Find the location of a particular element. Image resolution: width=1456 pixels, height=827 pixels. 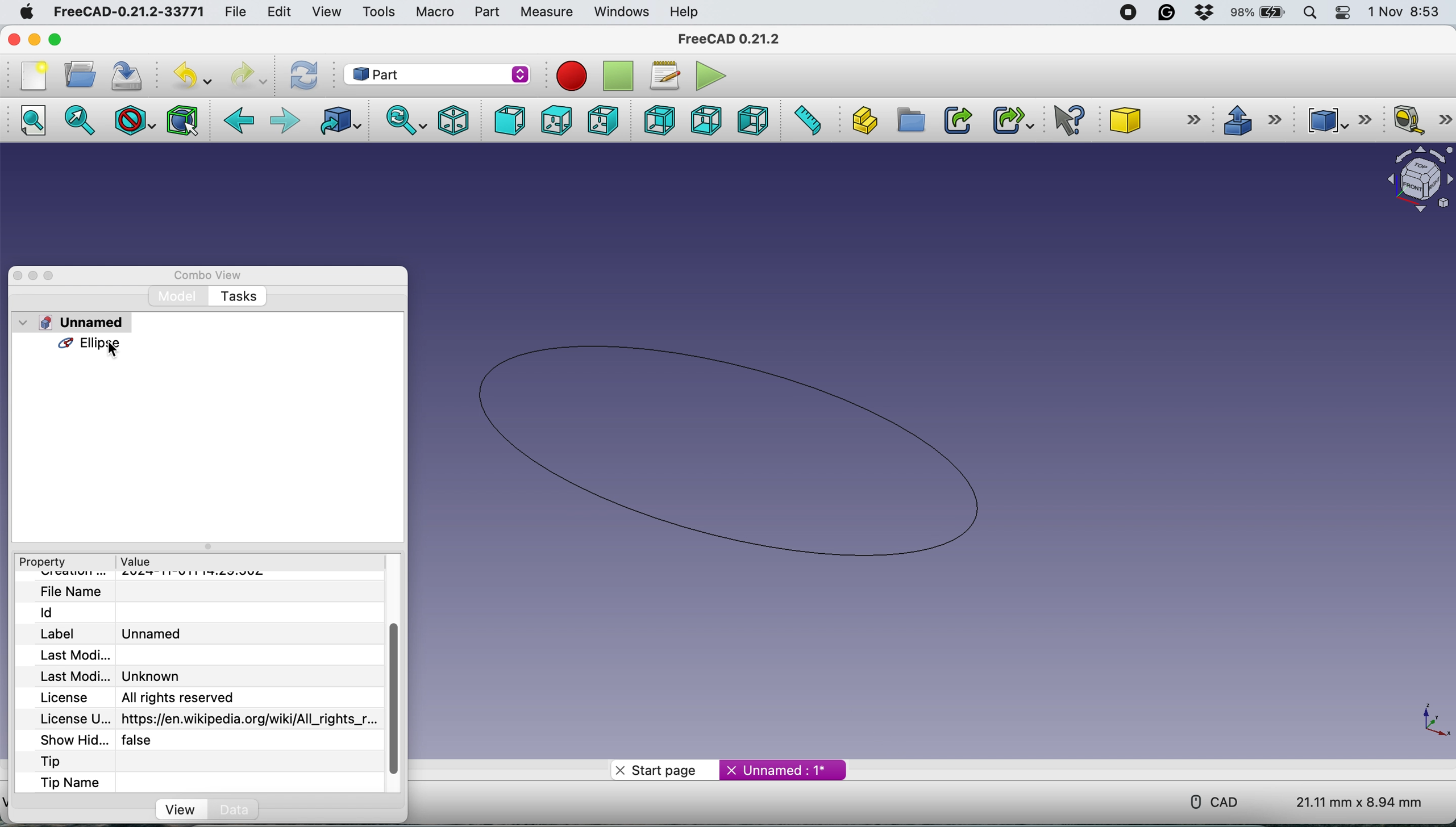

right is located at coordinates (605, 120).